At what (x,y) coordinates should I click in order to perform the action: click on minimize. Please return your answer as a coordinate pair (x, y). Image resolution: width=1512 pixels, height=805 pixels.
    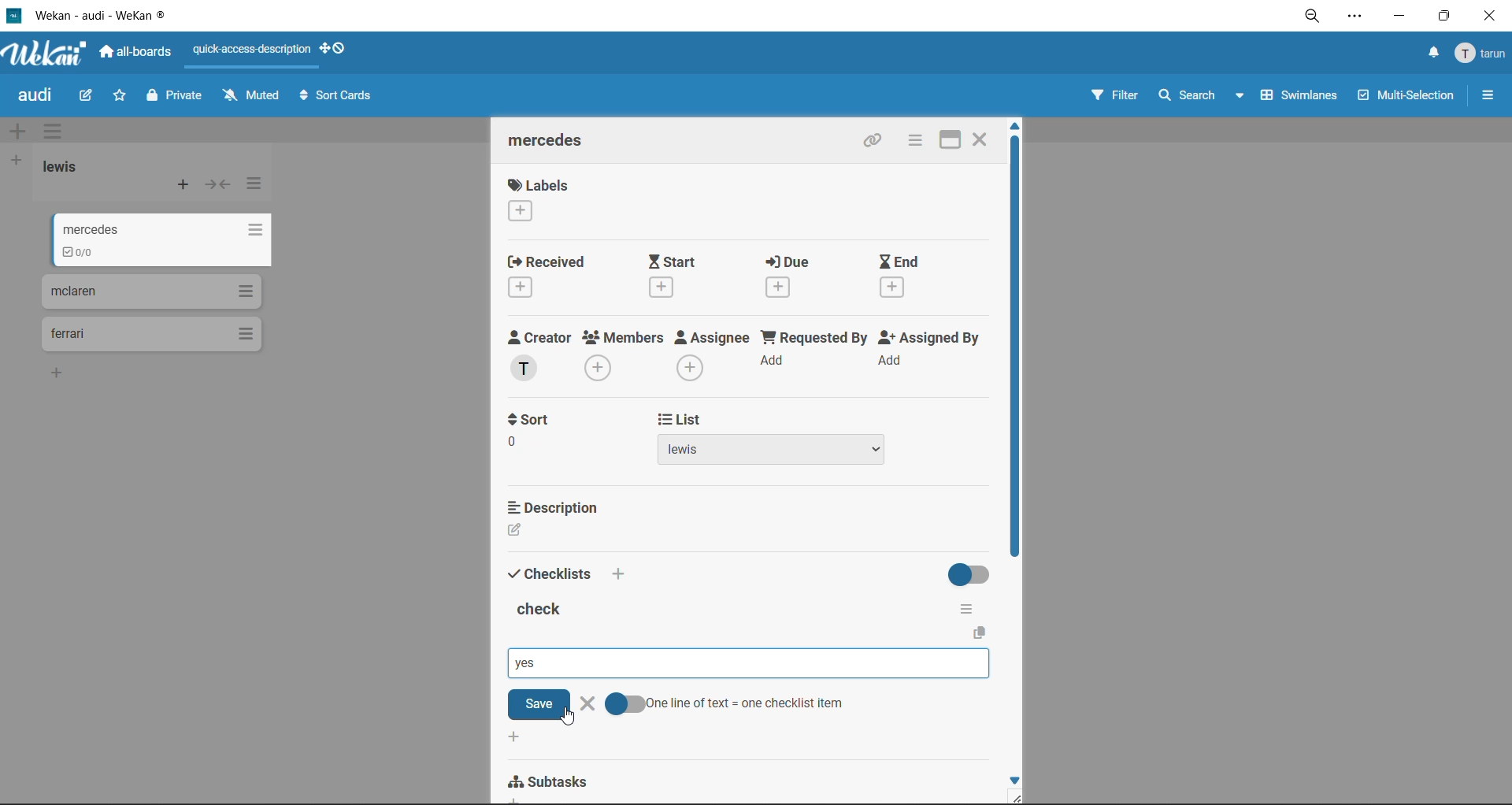
    Looking at the image, I should click on (1399, 19).